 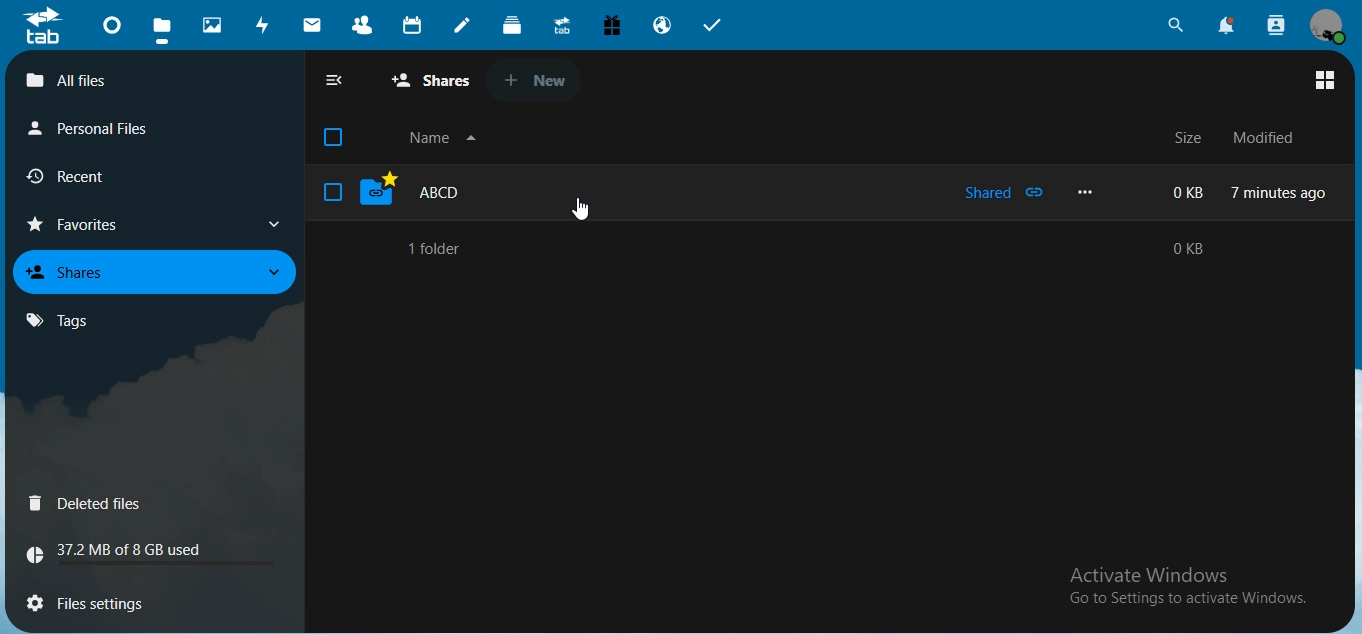 What do you see at coordinates (1201, 249) in the screenshot?
I see `0 kb` at bounding box center [1201, 249].